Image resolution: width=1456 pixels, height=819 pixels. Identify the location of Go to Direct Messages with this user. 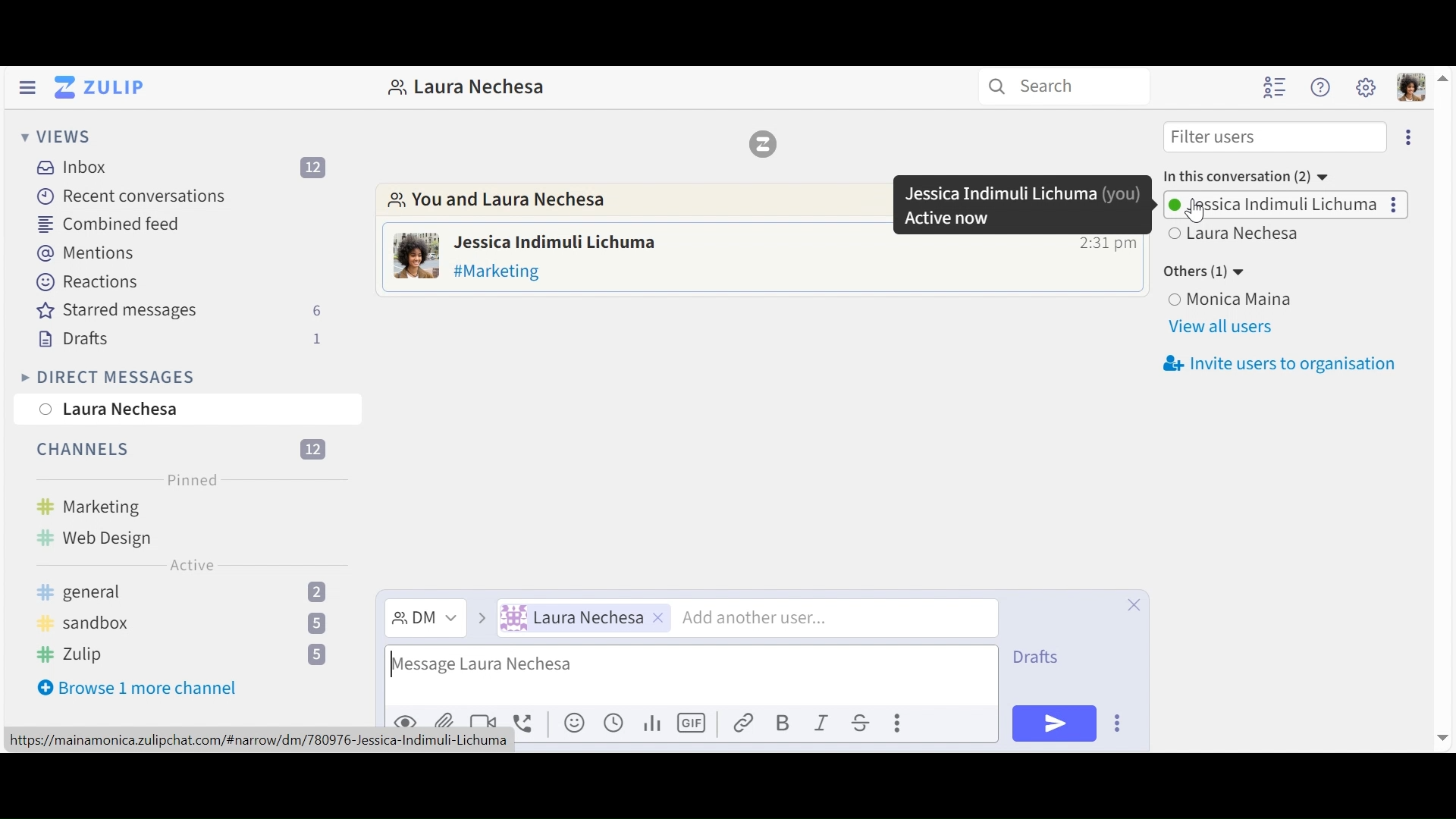
(576, 202).